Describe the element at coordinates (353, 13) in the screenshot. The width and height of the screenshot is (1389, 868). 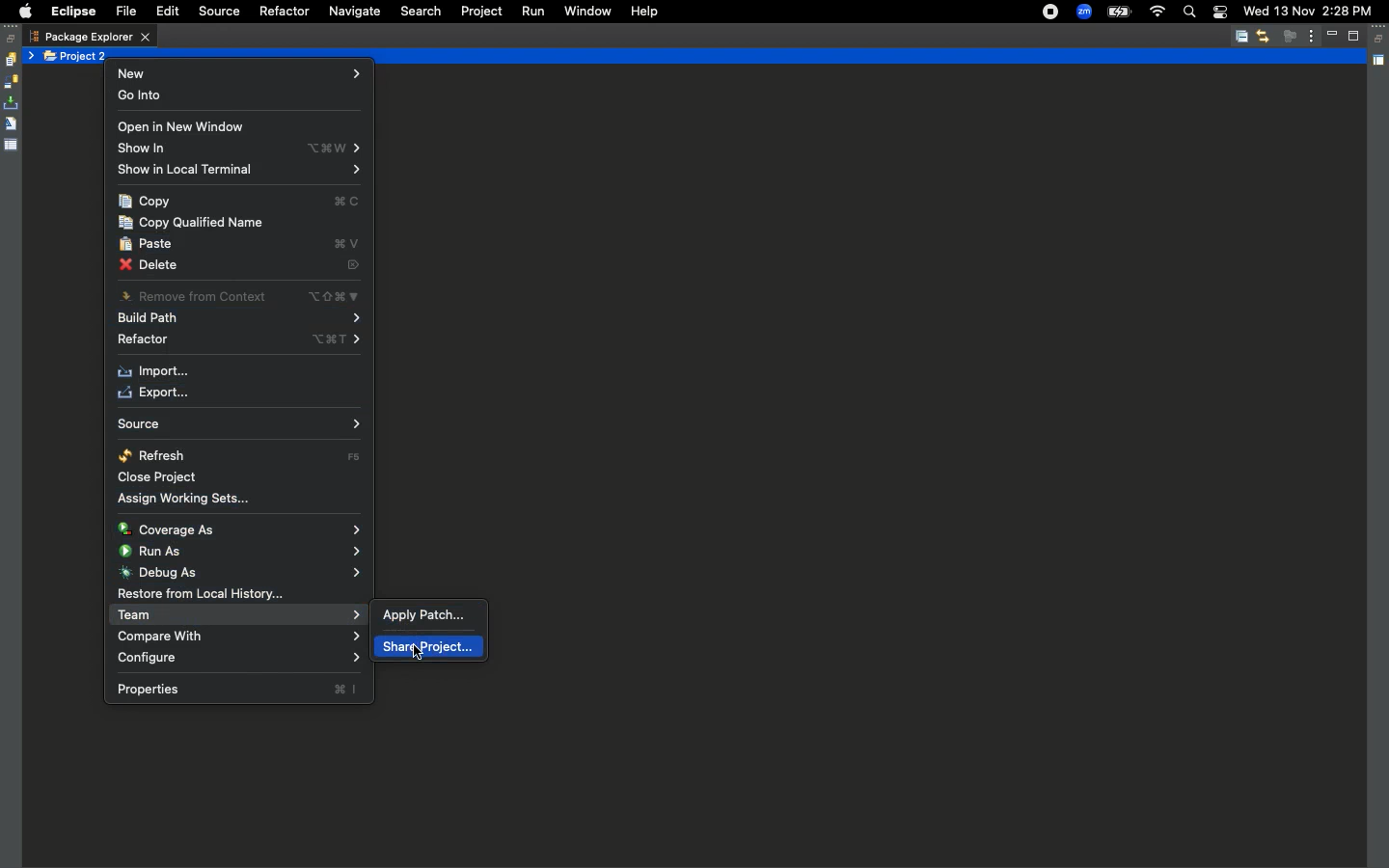
I see `Navigate` at that location.